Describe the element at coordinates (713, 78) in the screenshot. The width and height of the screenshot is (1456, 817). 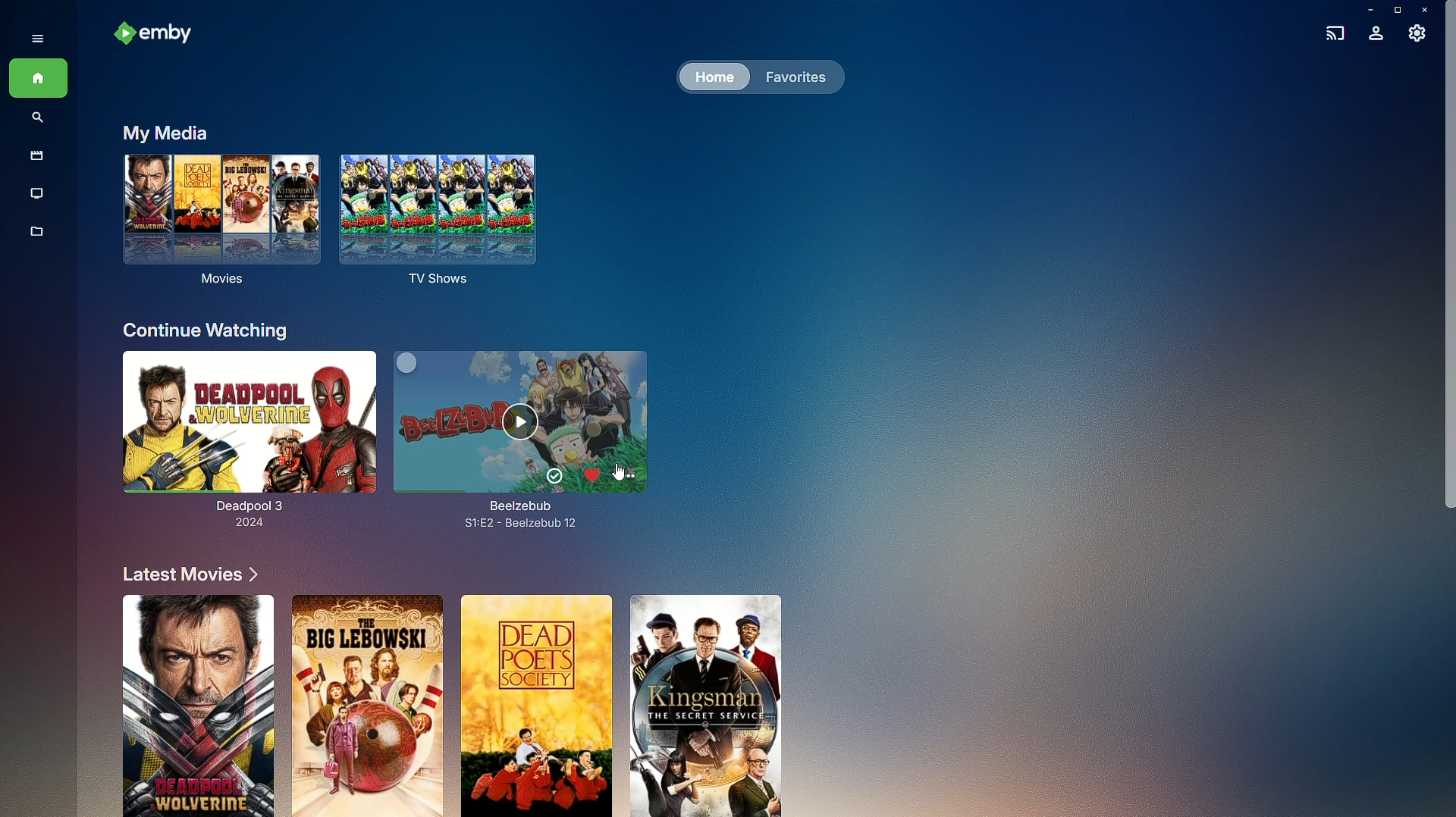
I see `Home` at that location.